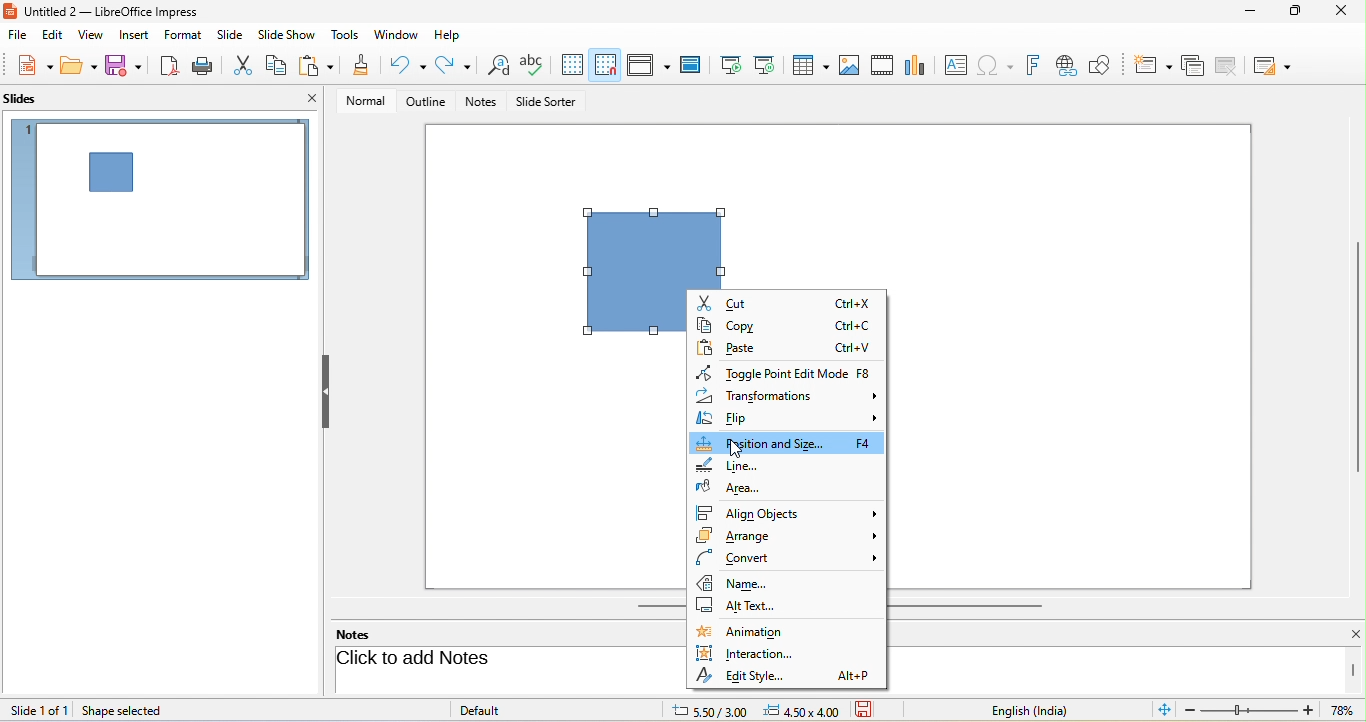 This screenshot has width=1366, height=722. Describe the element at coordinates (234, 35) in the screenshot. I see `side` at that location.